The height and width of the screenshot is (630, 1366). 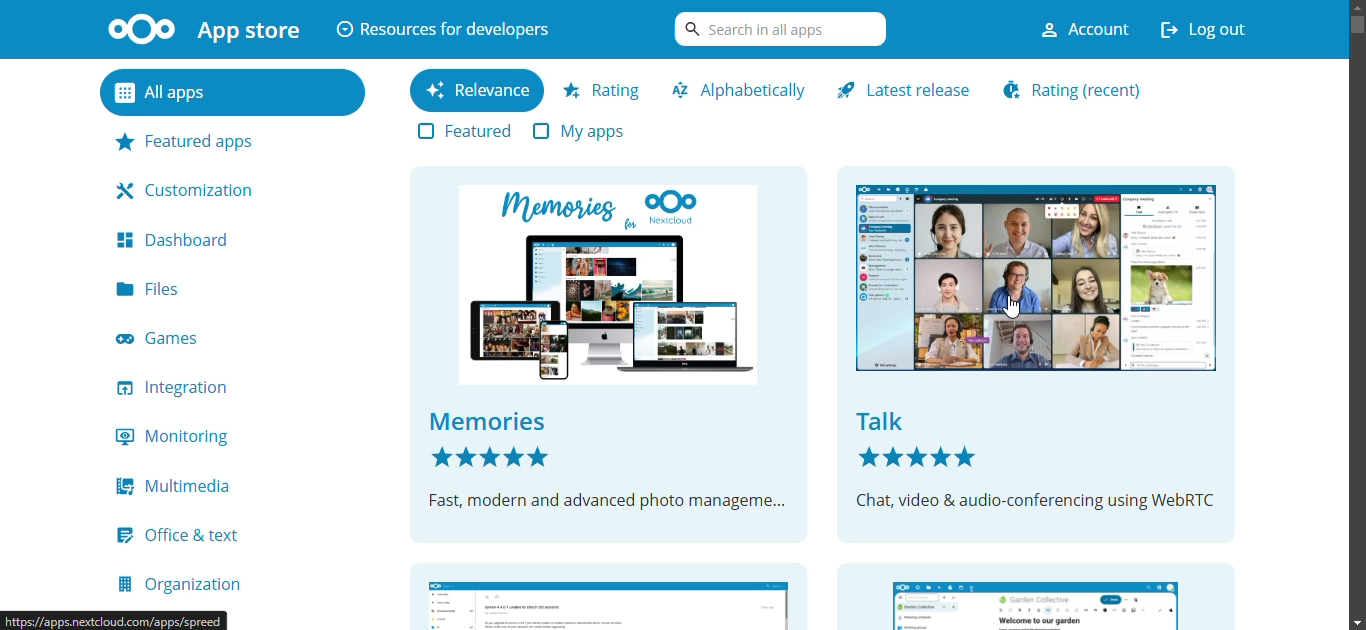 What do you see at coordinates (202, 29) in the screenshot?
I see `app store` at bounding box center [202, 29].